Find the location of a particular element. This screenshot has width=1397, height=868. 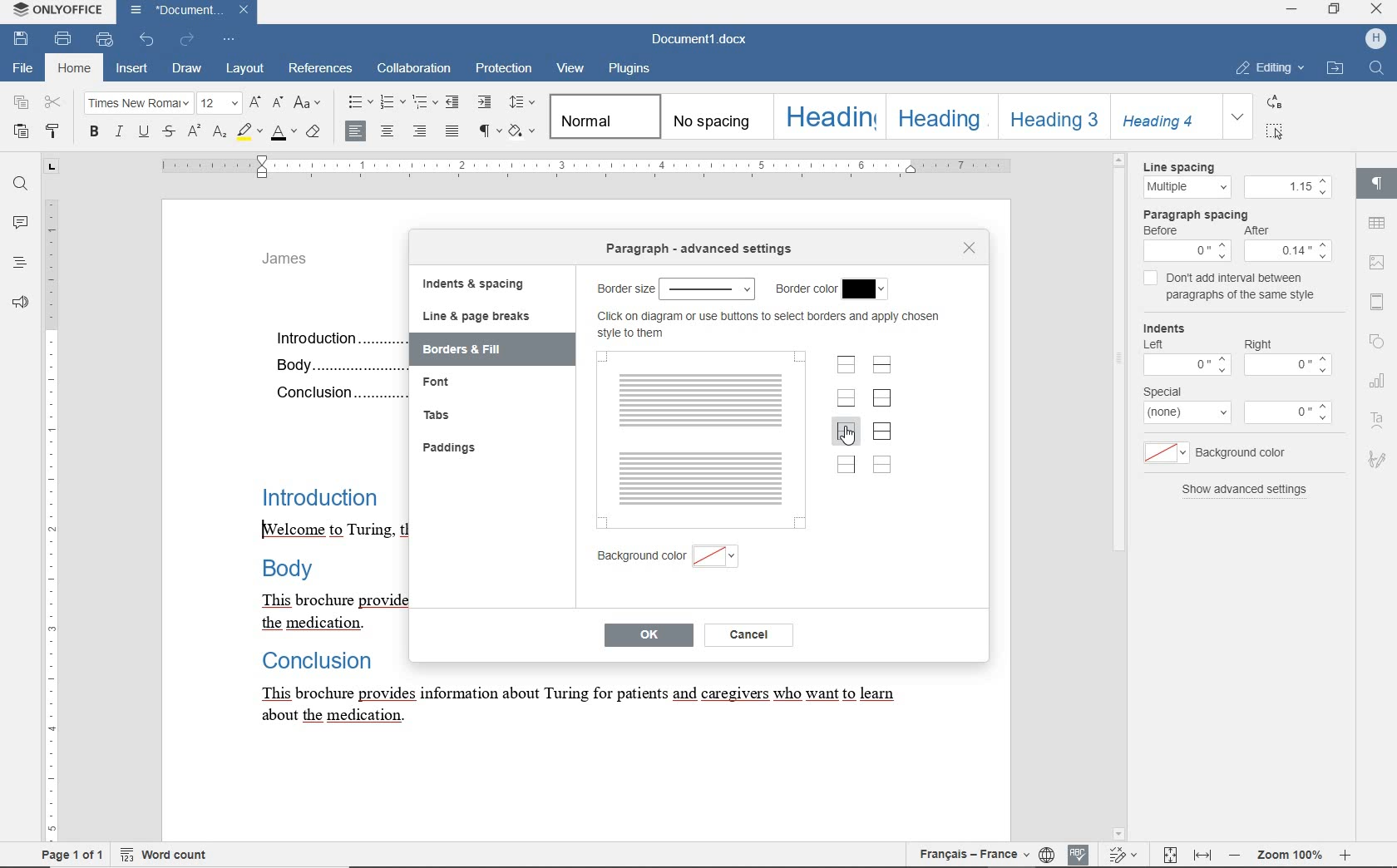

justified is located at coordinates (452, 131).